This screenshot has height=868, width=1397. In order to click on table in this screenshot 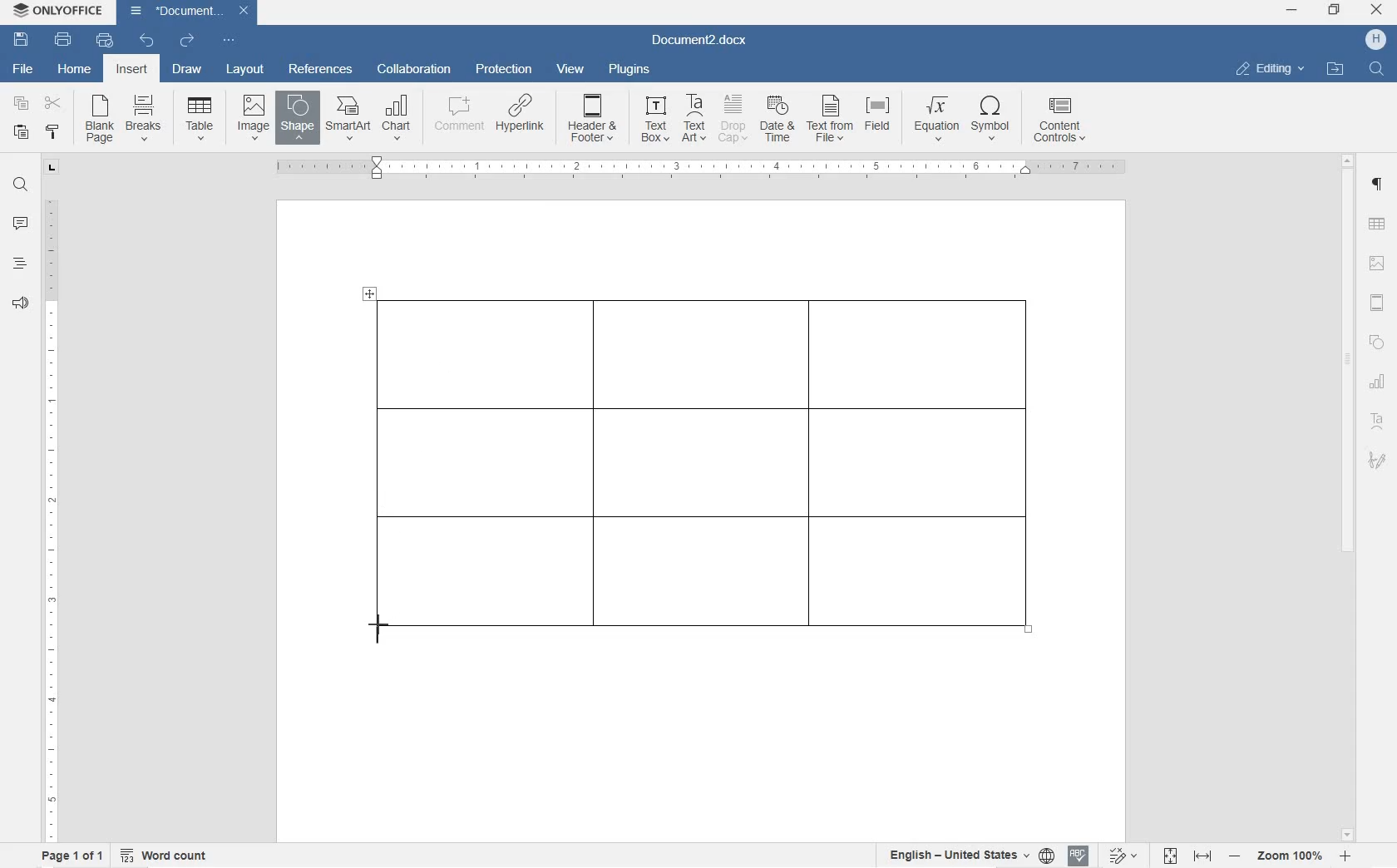, I will do `click(712, 455)`.